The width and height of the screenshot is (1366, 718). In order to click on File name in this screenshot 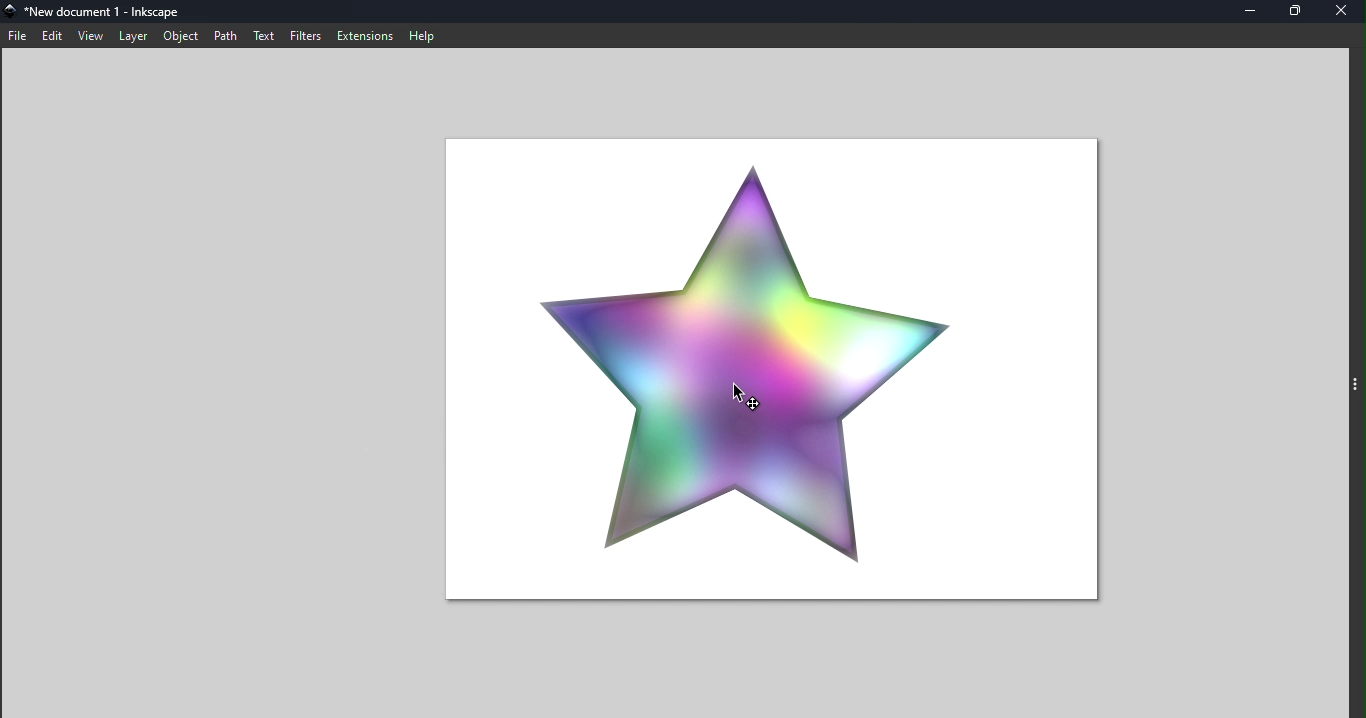, I will do `click(106, 13)`.